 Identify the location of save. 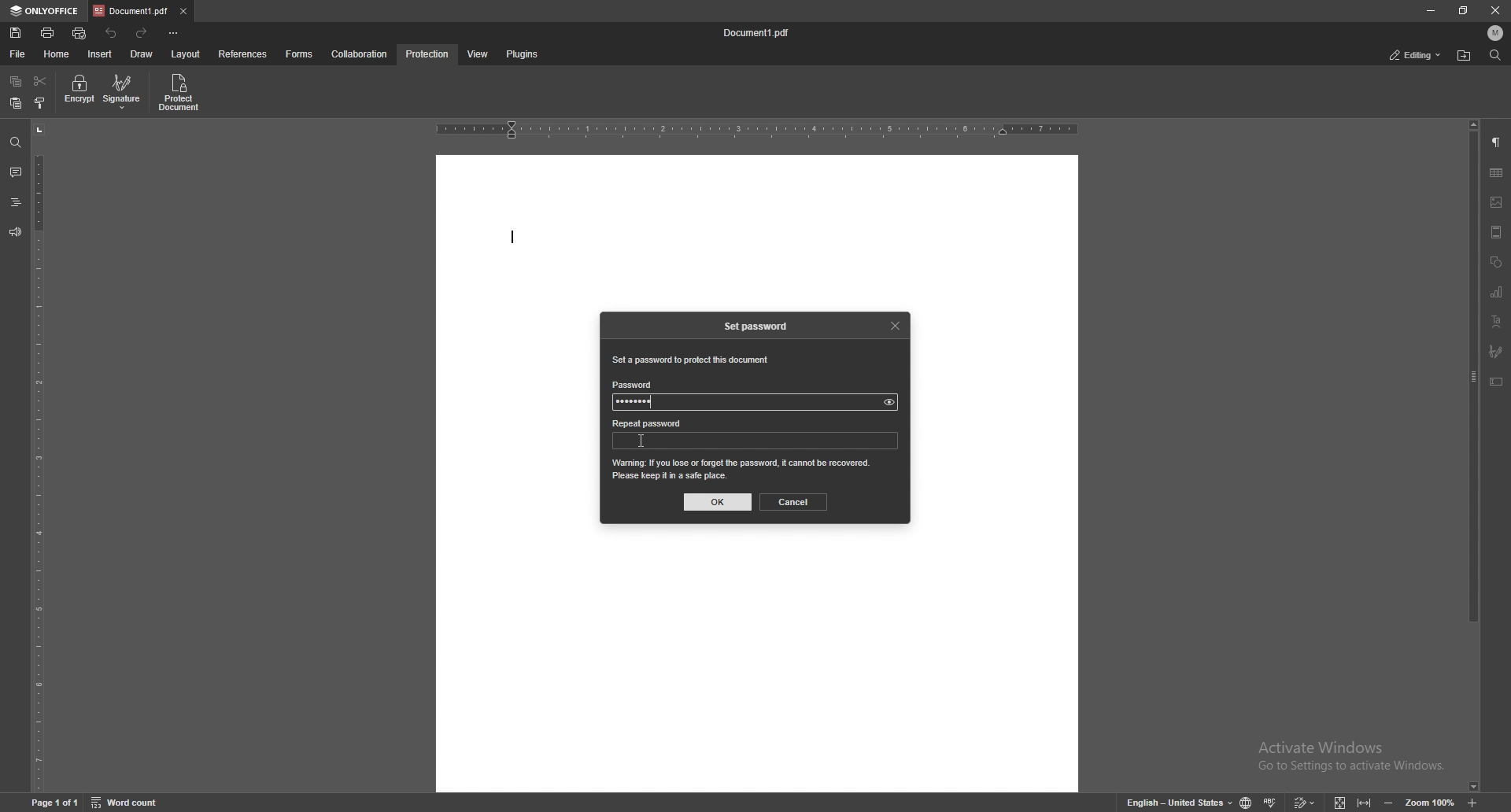
(16, 33).